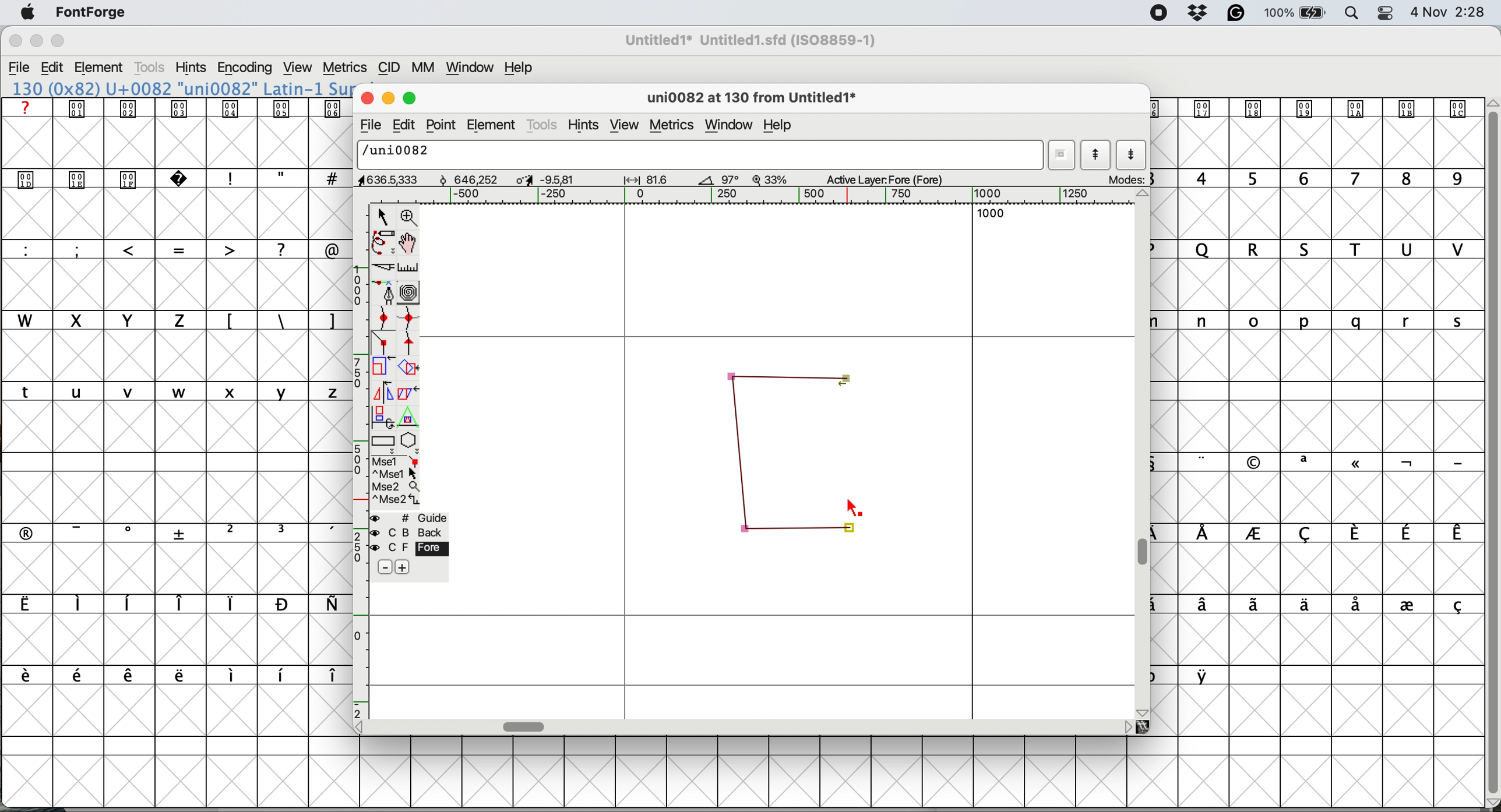 Image resolution: width=1501 pixels, height=812 pixels. What do you see at coordinates (1206, 675) in the screenshot?
I see `symbol` at bounding box center [1206, 675].